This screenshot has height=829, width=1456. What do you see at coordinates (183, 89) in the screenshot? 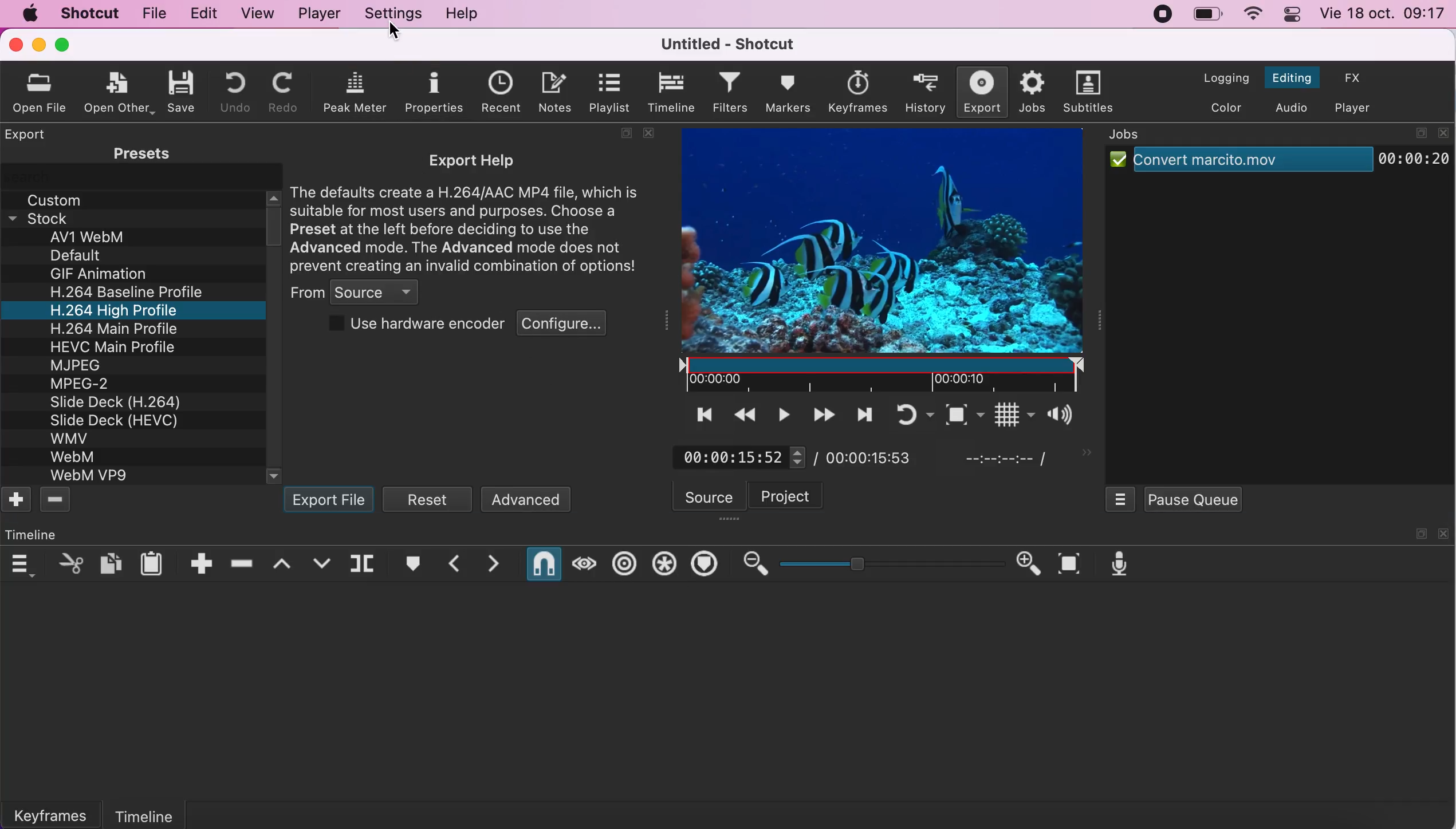
I see `save` at bounding box center [183, 89].